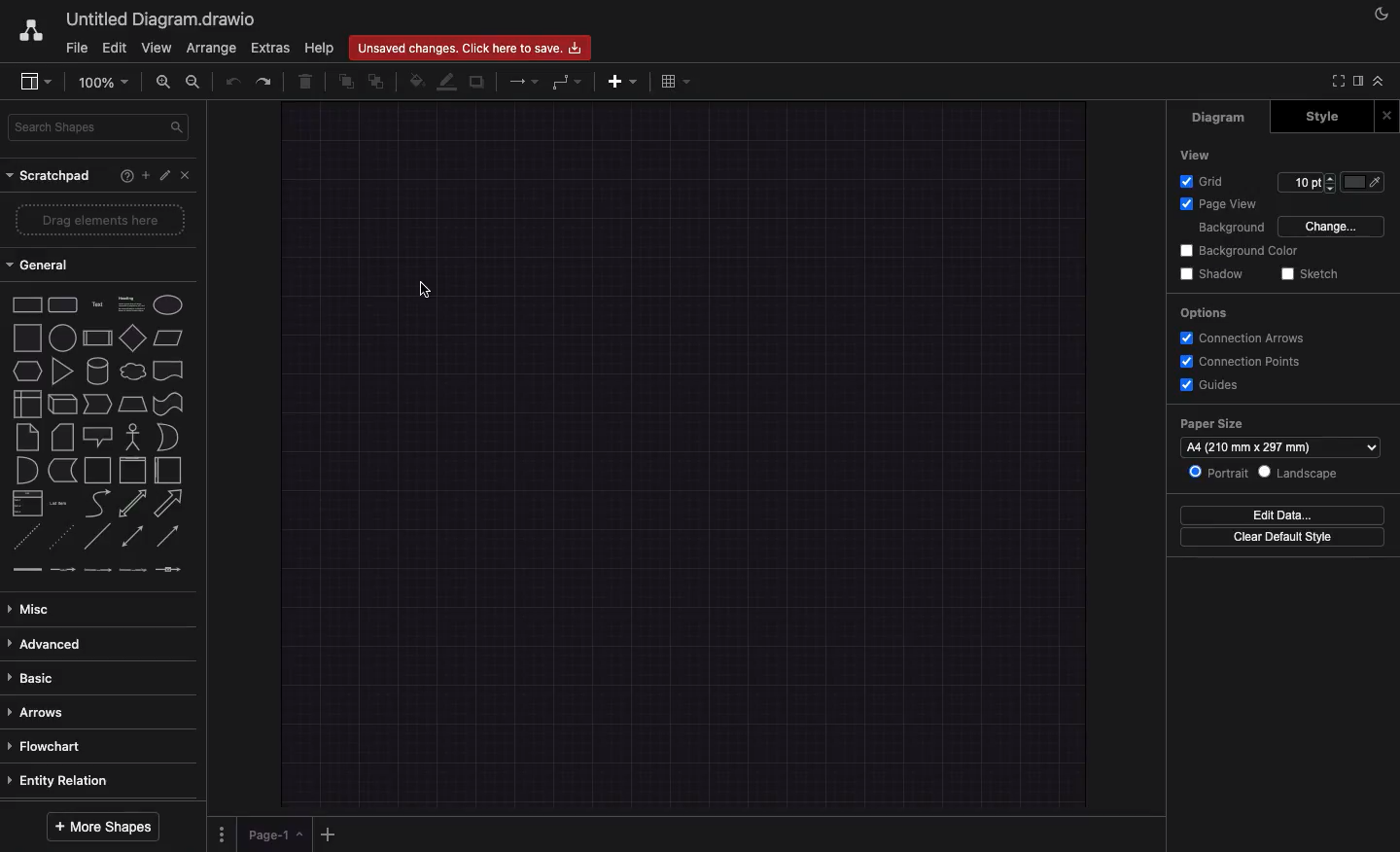 The image size is (1400, 852). I want to click on Fill, so click(1364, 183).